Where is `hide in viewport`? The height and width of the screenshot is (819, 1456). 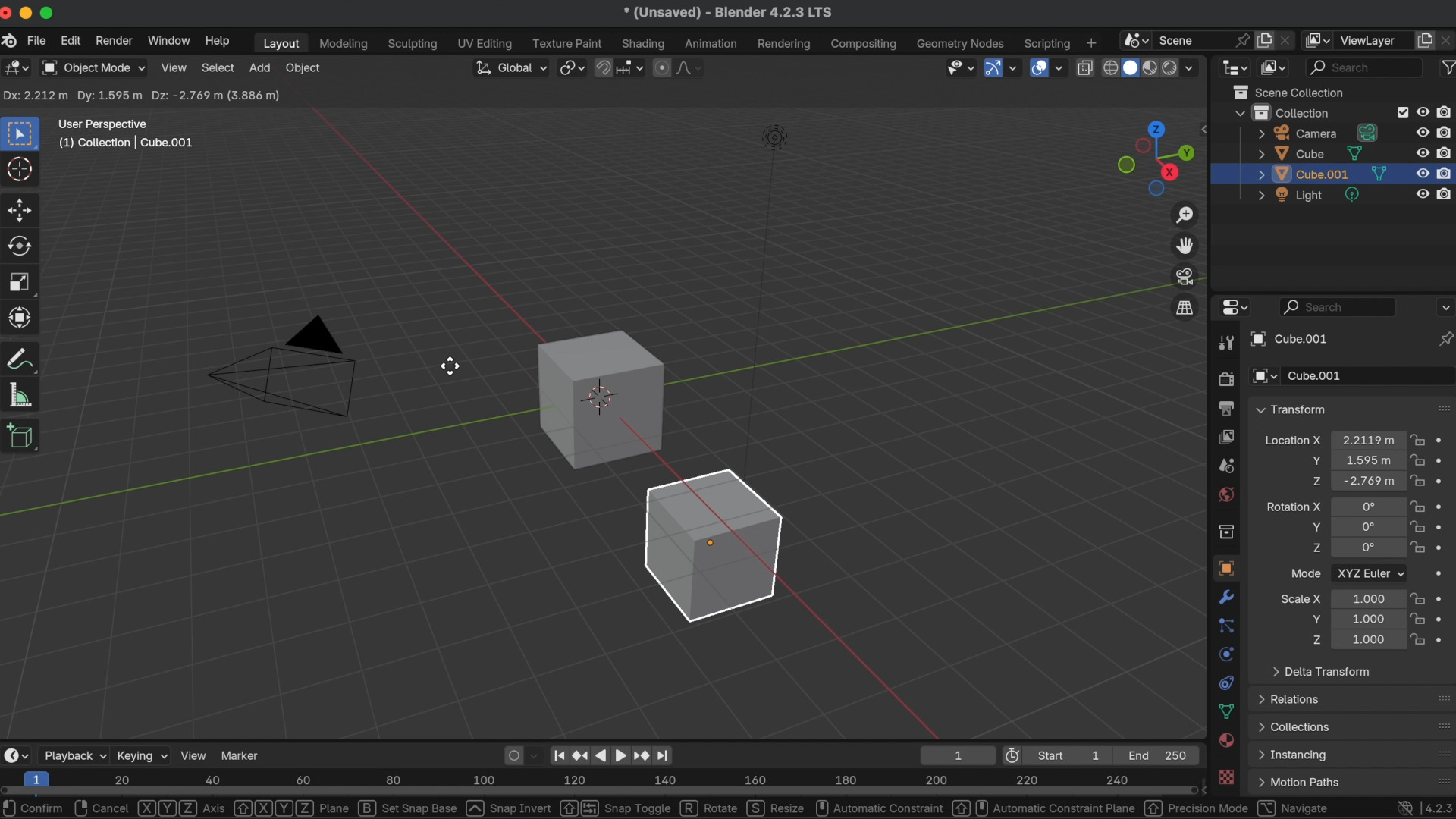 hide in viewport is located at coordinates (1423, 196).